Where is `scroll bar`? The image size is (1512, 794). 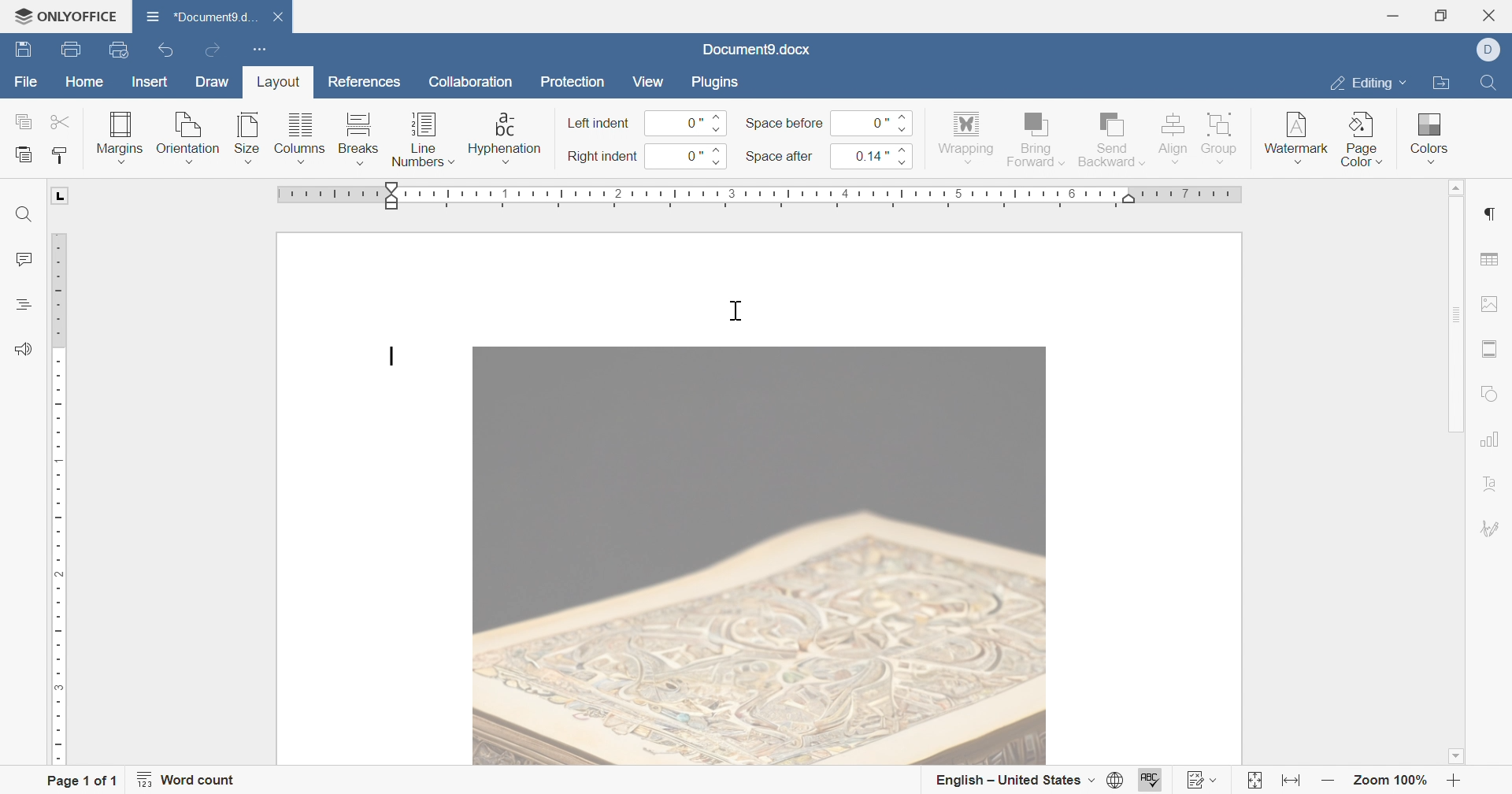
scroll bar is located at coordinates (1454, 314).